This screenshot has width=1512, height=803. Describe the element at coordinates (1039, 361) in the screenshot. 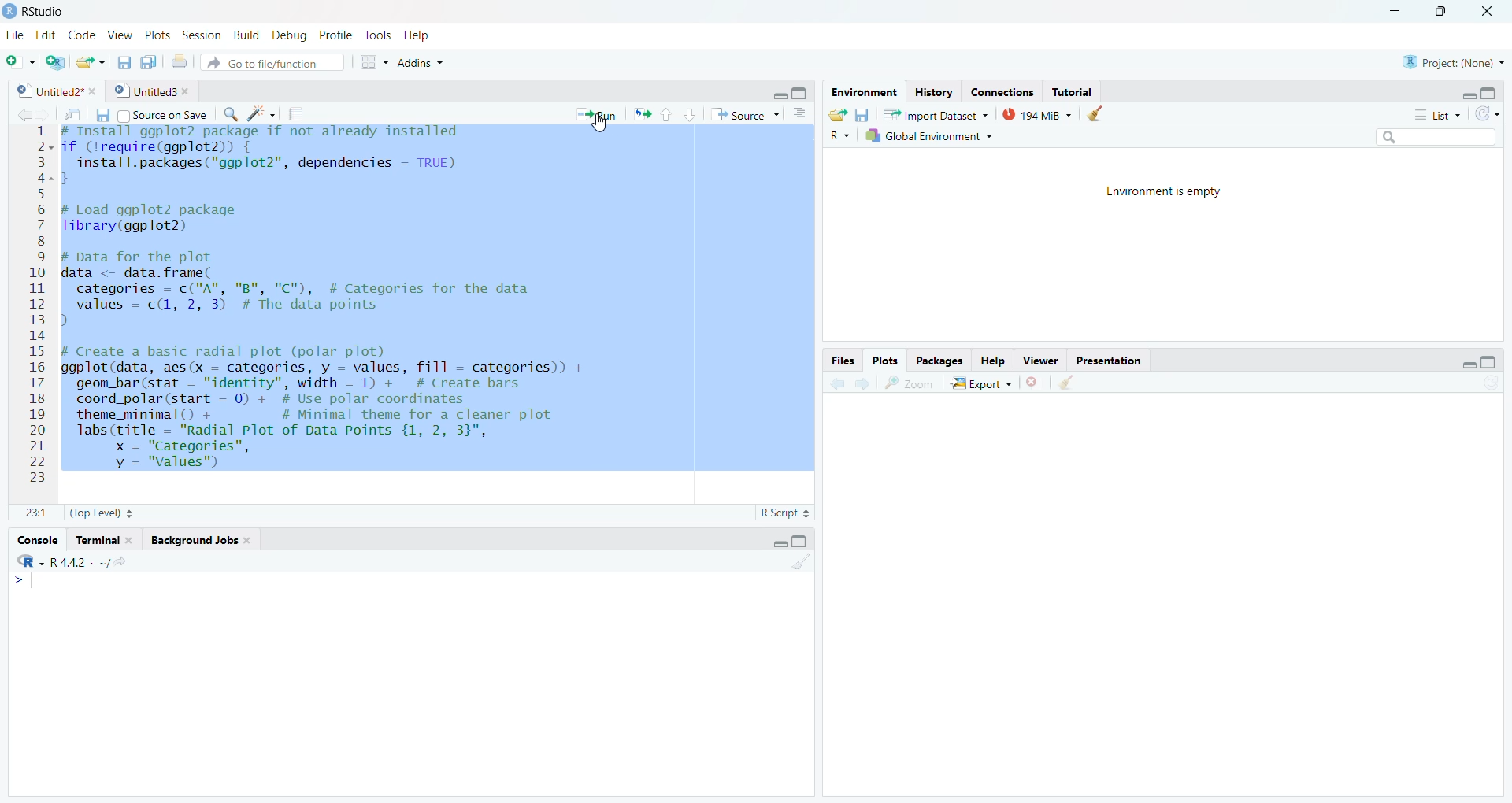

I see `Viewer` at that location.